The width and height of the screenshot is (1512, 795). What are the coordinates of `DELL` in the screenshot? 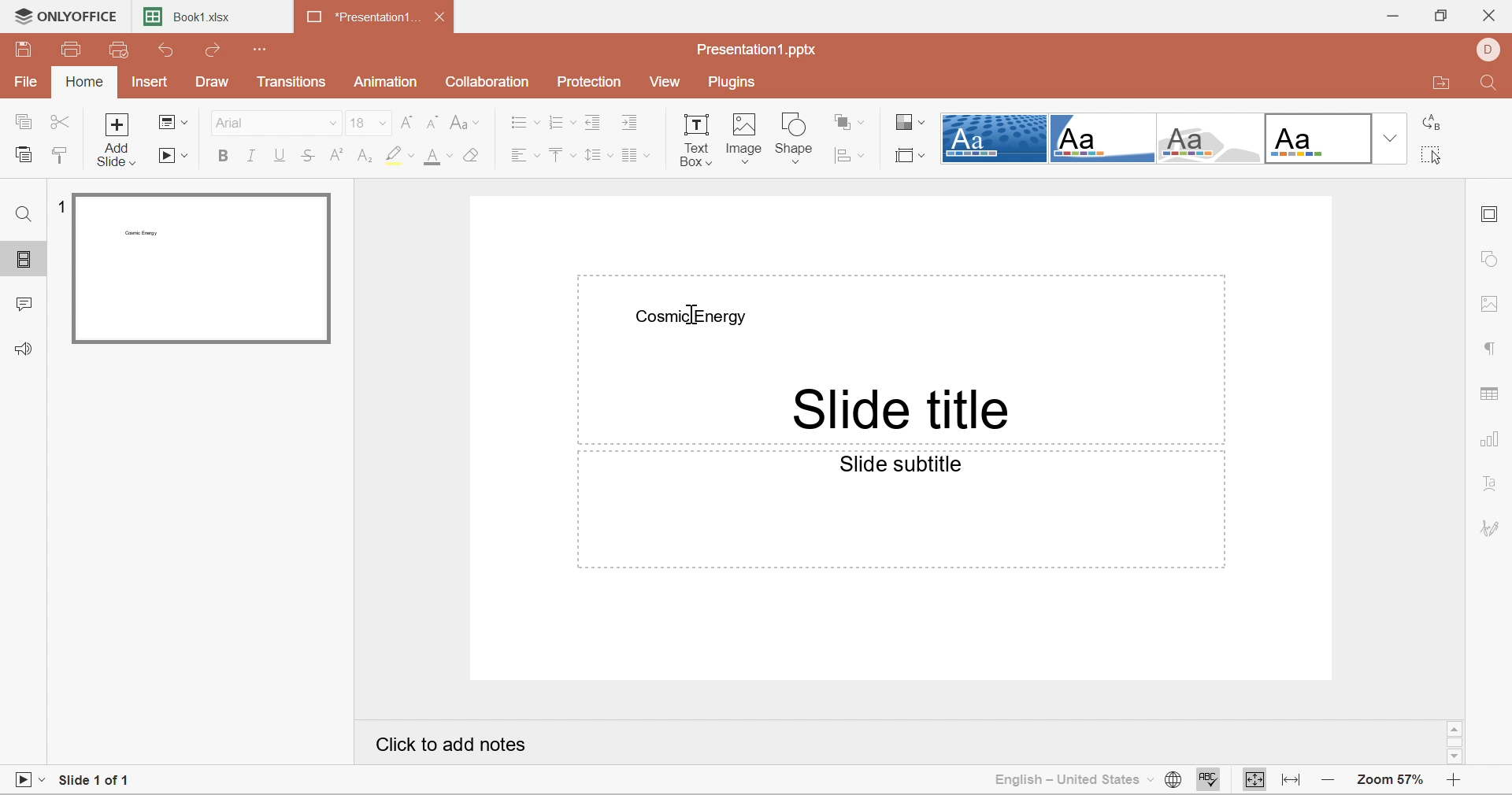 It's located at (1494, 50).